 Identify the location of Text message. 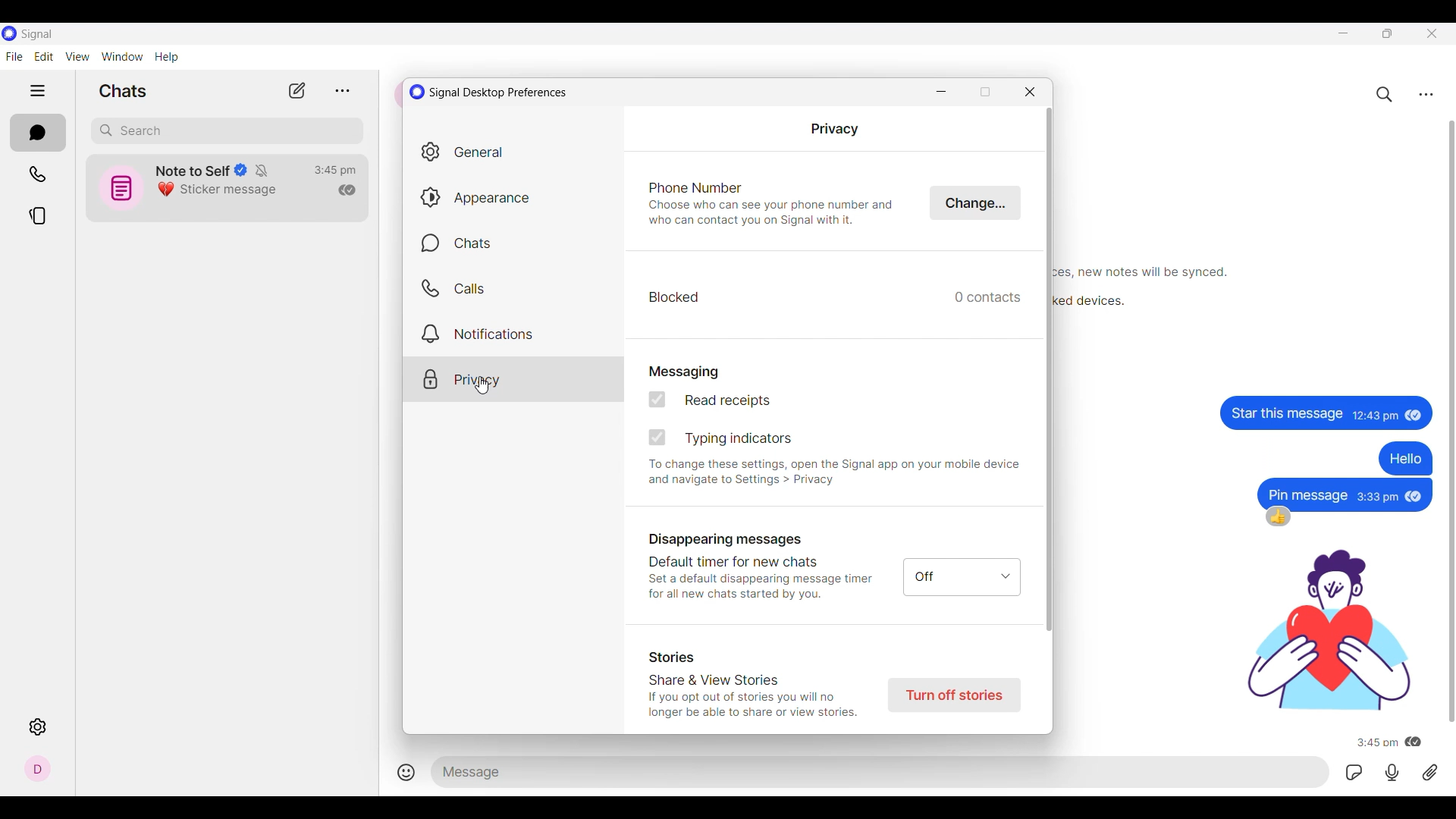
(1285, 412).